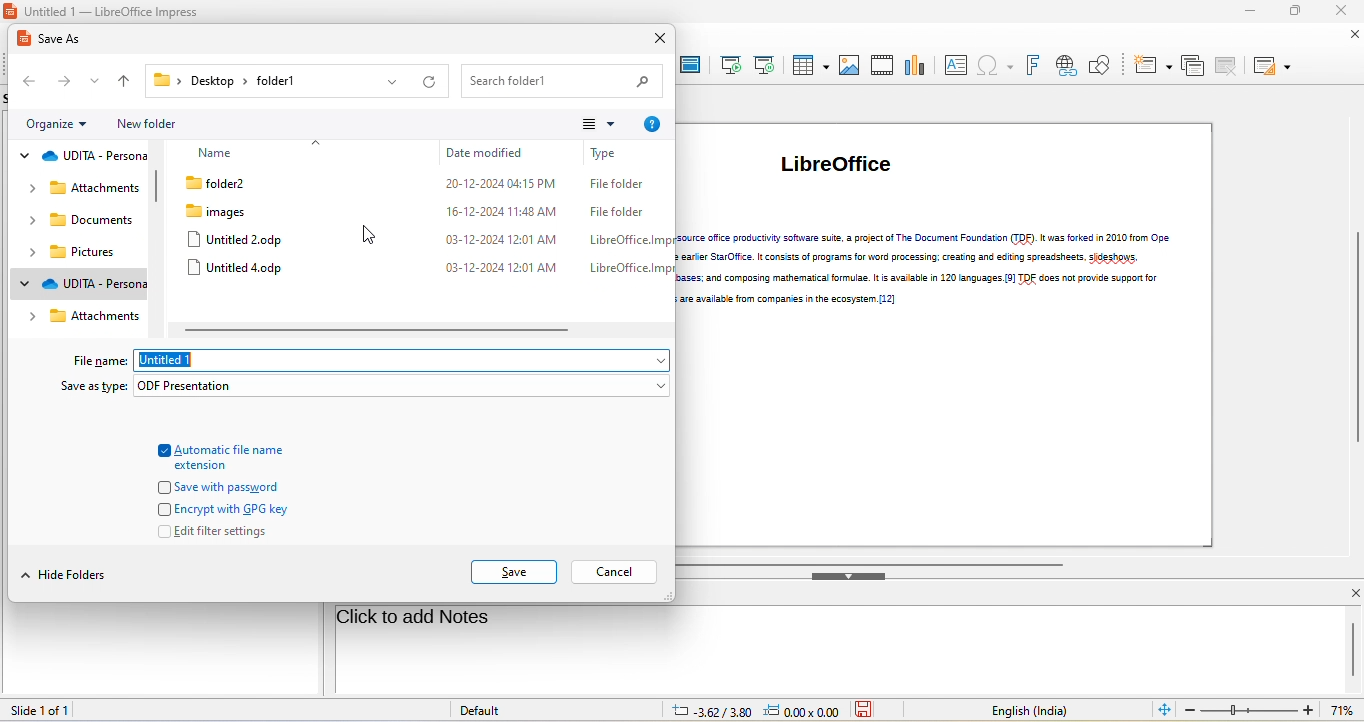 The width and height of the screenshot is (1364, 722). Describe the element at coordinates (487, 711) in the screenshot. I see `default` at that location.